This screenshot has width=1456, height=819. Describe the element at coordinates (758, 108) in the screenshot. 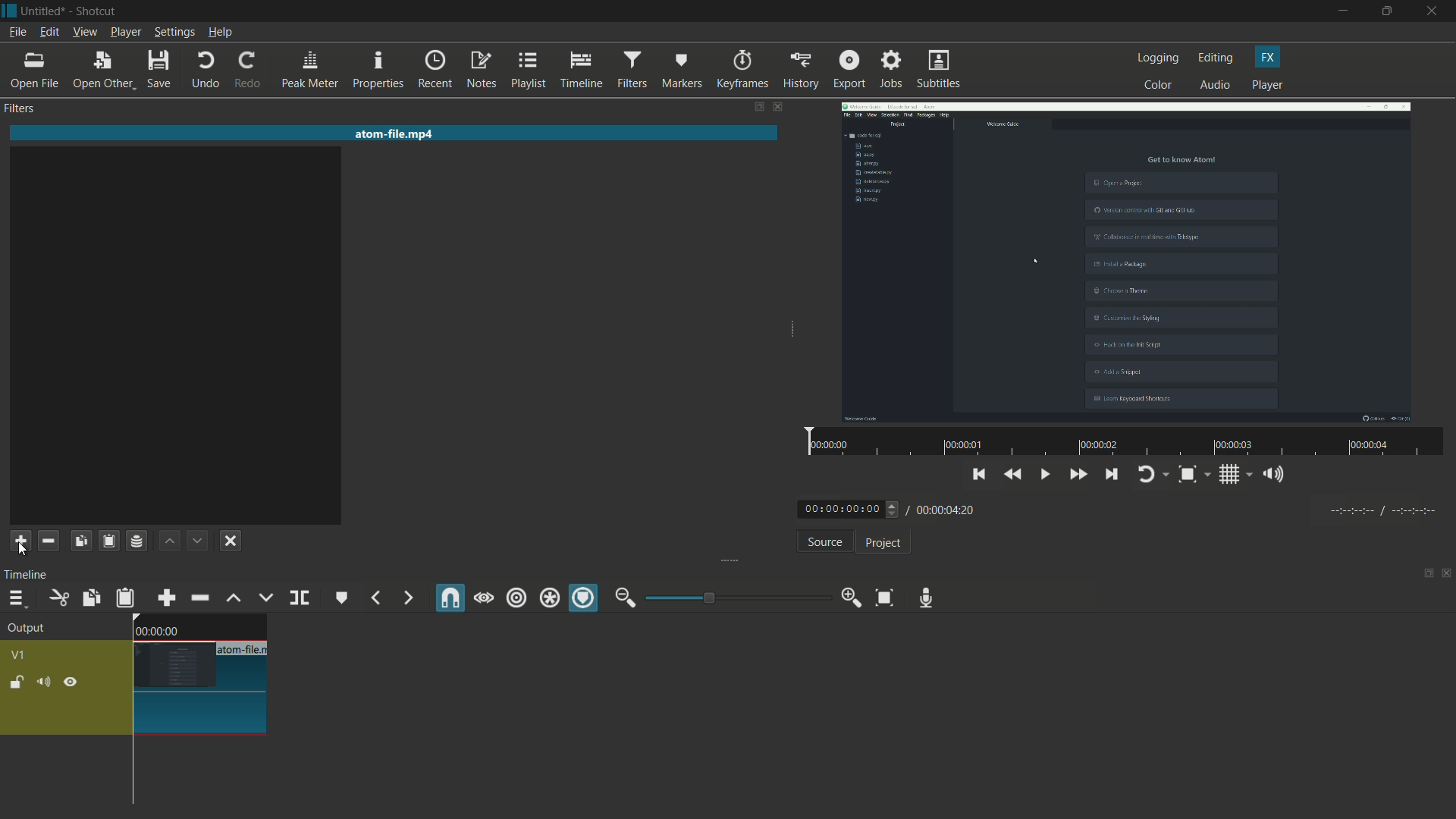

I see `show tabs` at that location.